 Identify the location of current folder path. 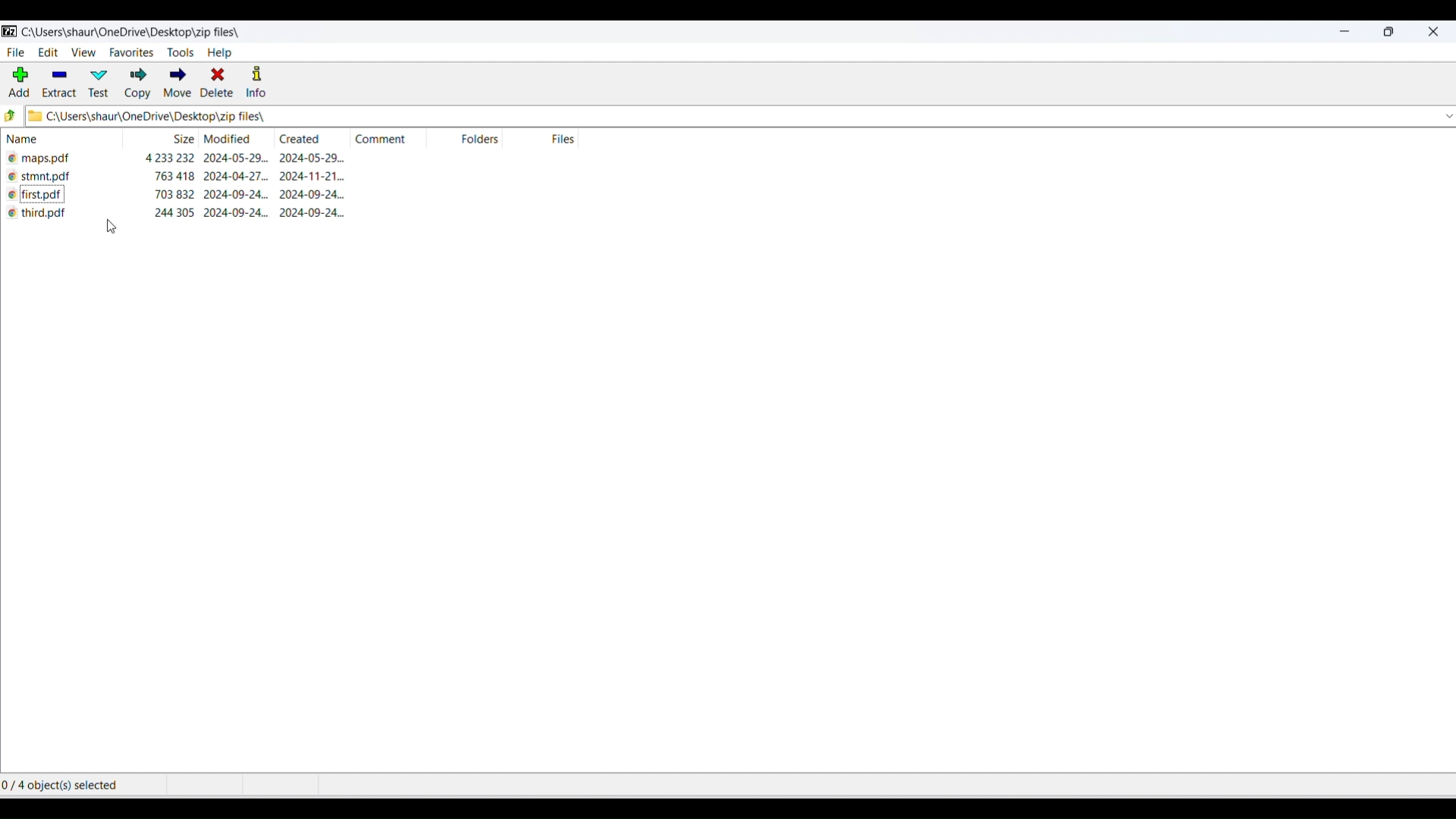
(143, 32).